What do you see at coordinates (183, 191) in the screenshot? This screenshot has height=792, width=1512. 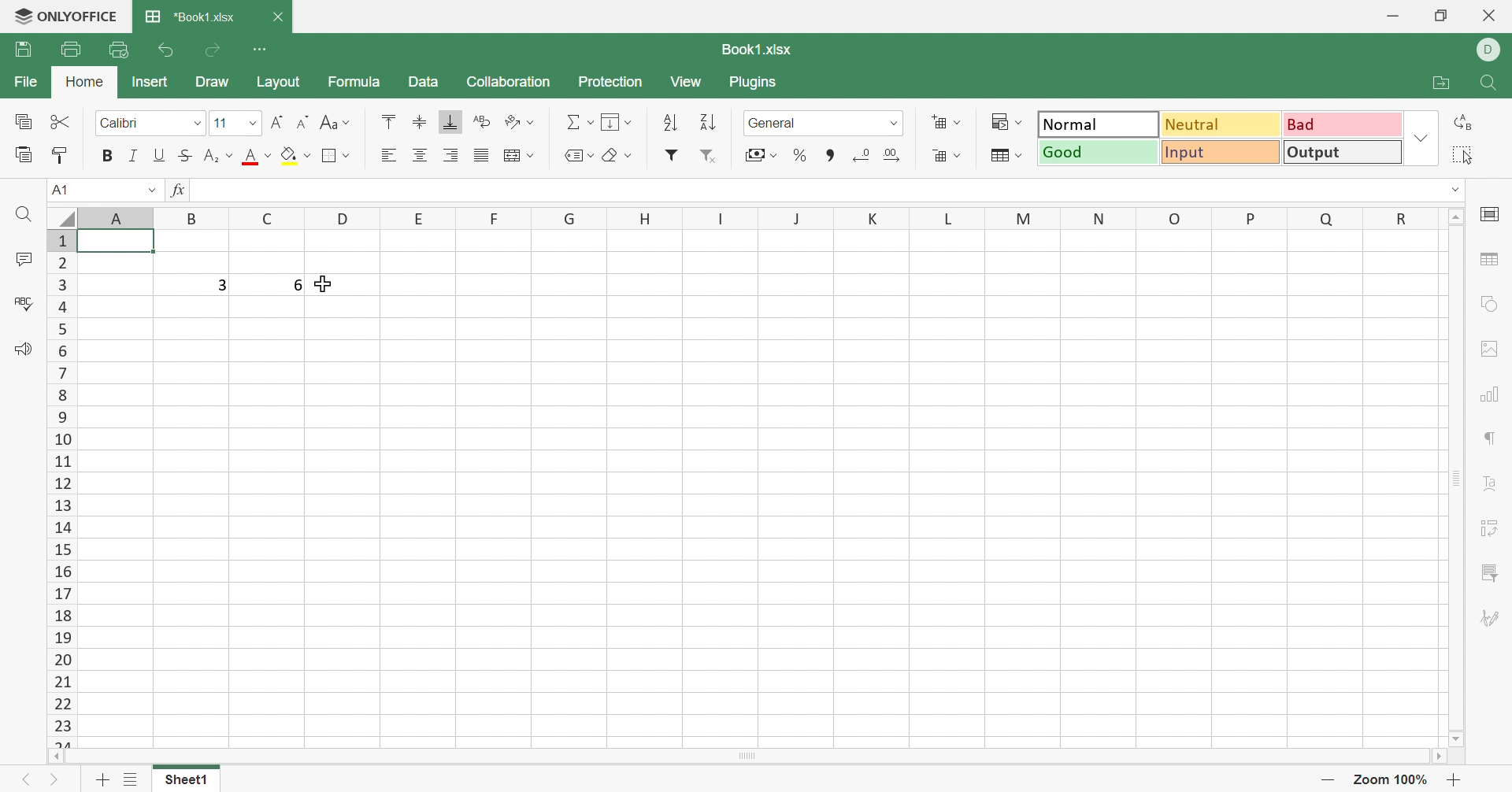 I see `fx` at bounding box center [183, 191].